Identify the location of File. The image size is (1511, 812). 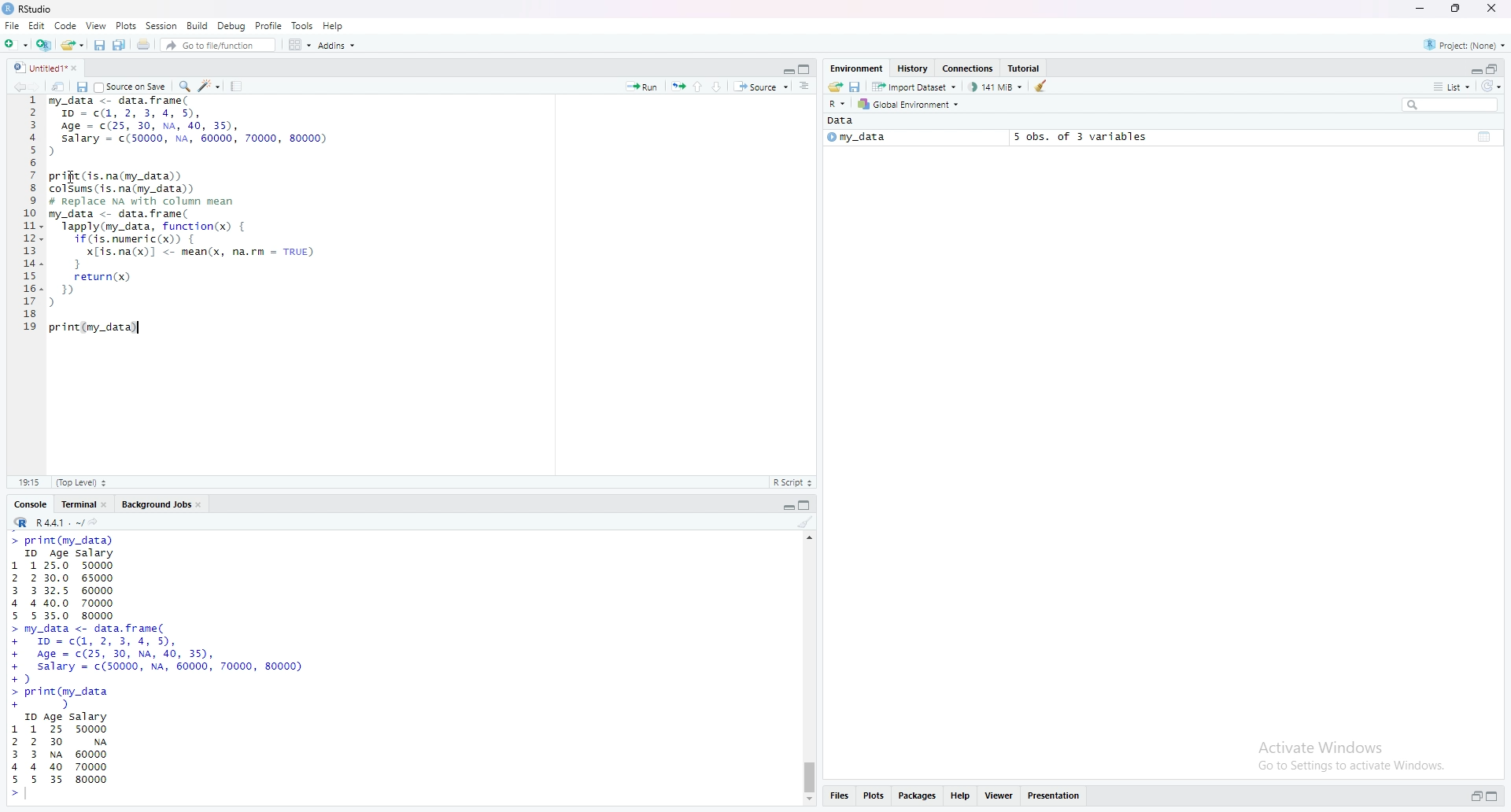
(13, 25).